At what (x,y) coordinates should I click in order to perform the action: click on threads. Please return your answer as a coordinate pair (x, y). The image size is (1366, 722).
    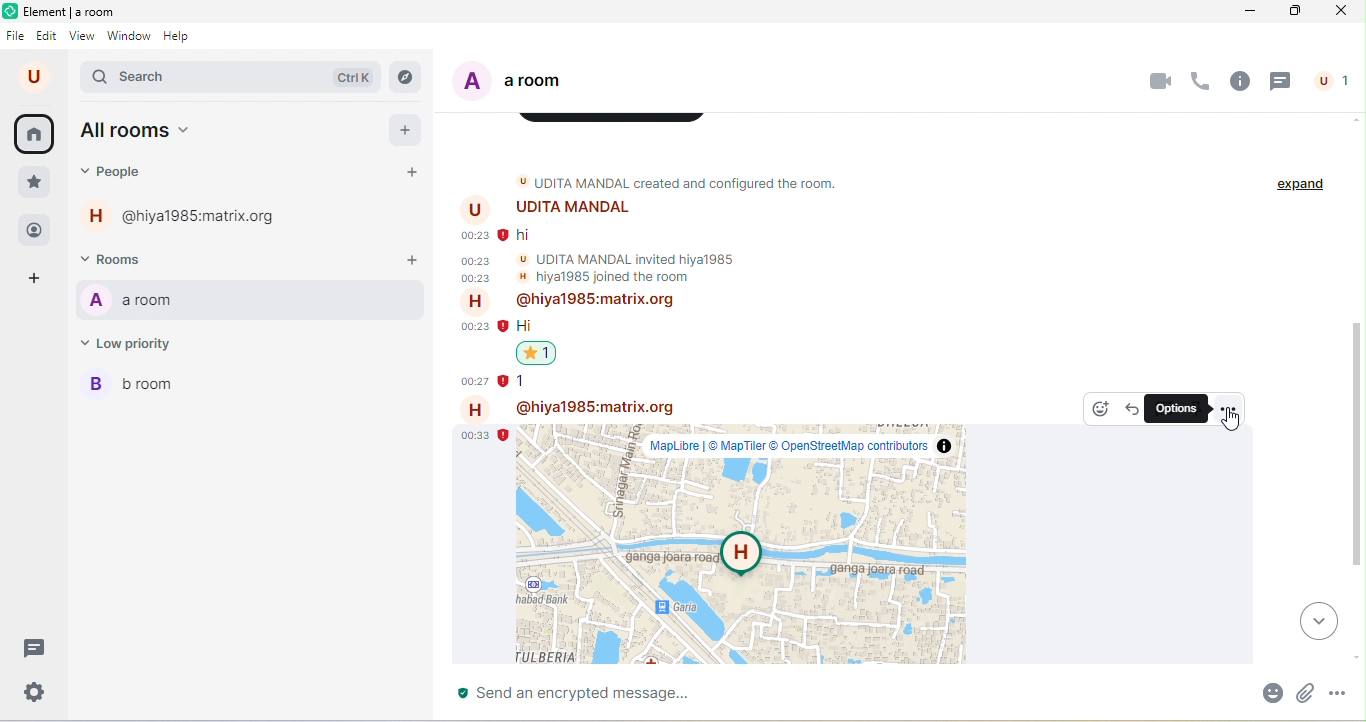
    Looking at the image, I should click on (1280, 82).